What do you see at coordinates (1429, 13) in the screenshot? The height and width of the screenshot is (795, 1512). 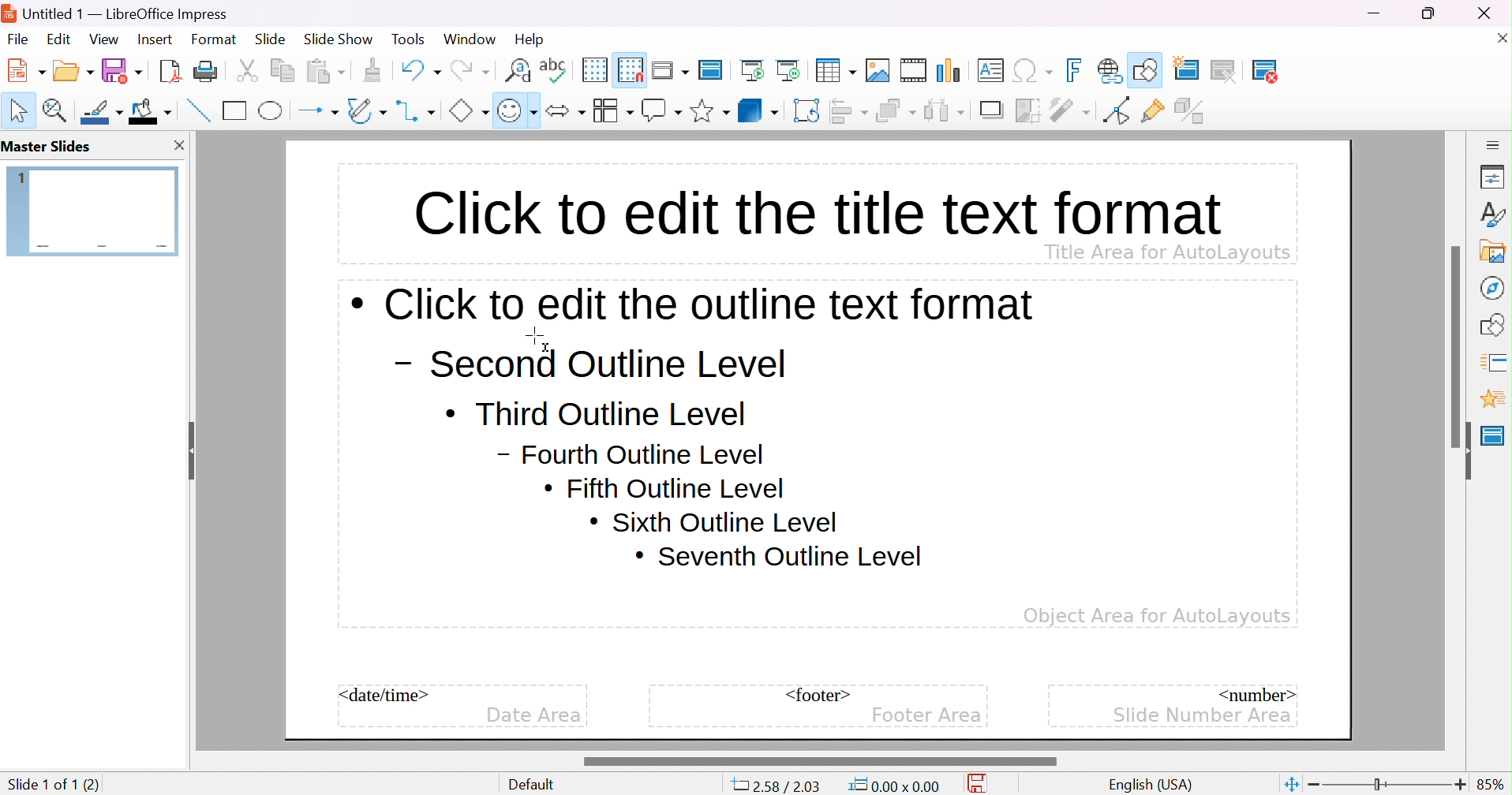 I see `restore down` at bounding box center [1429, 13].